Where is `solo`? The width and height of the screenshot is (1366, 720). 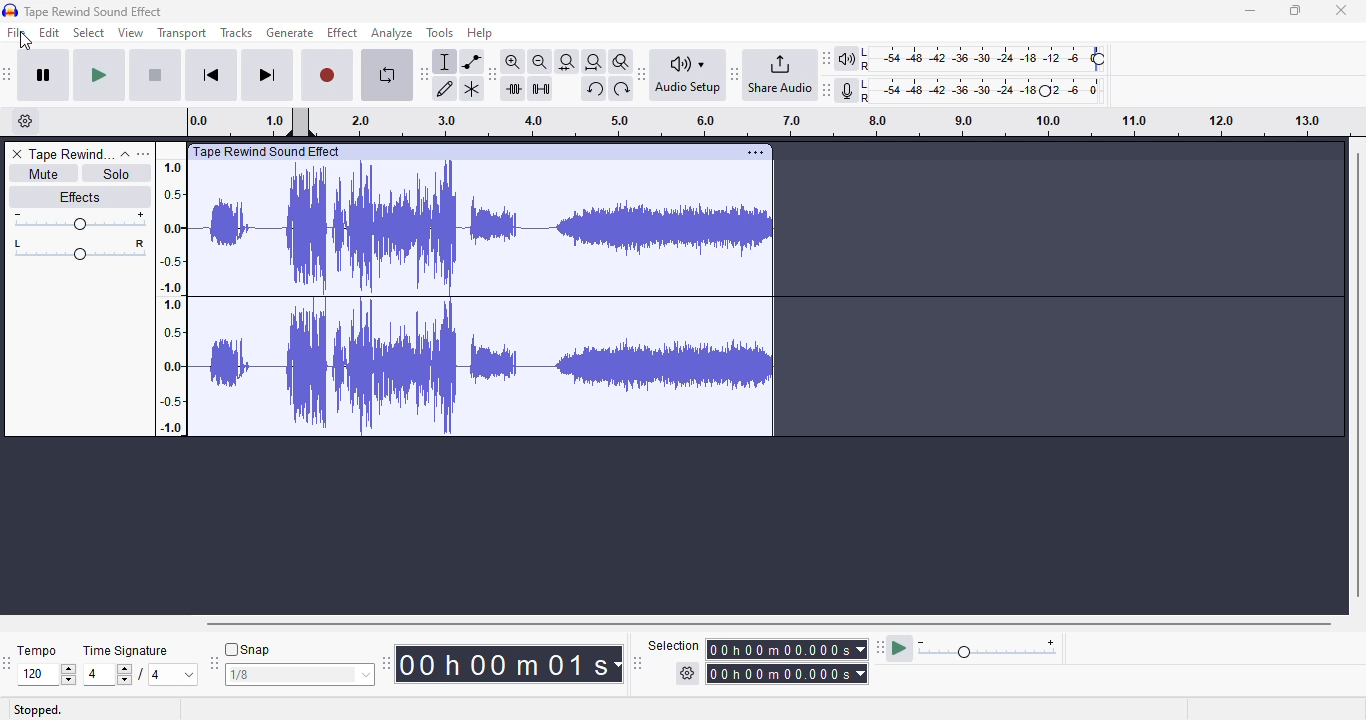
solo is located at coordinates (120, 173).